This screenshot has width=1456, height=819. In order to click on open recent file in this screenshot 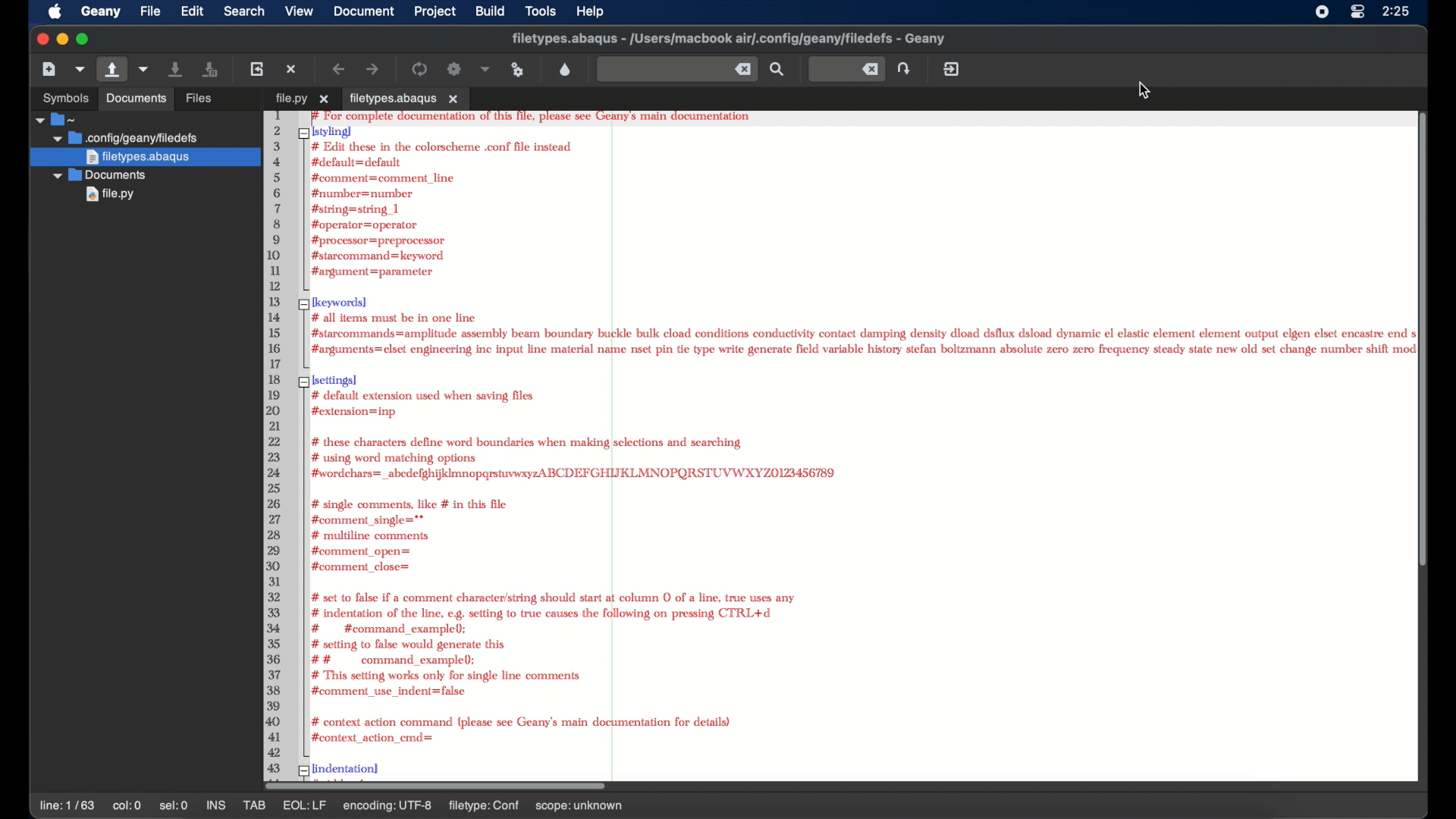, I will do `click(145, 70)`.